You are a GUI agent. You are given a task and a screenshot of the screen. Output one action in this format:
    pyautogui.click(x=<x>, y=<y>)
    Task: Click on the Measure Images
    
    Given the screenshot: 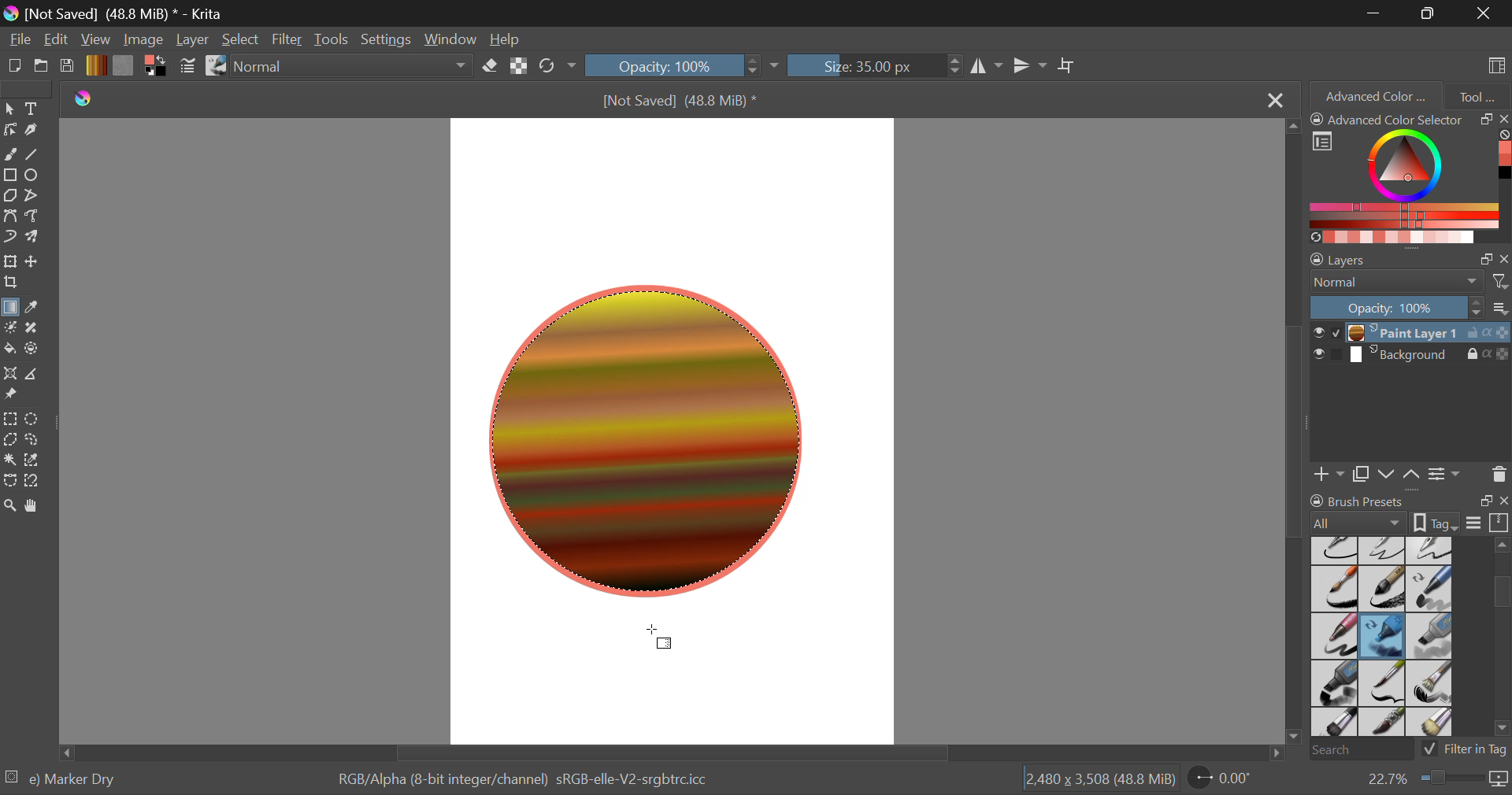 What is the action you would take?
    pyautogui.click(x=34, y=376)
    